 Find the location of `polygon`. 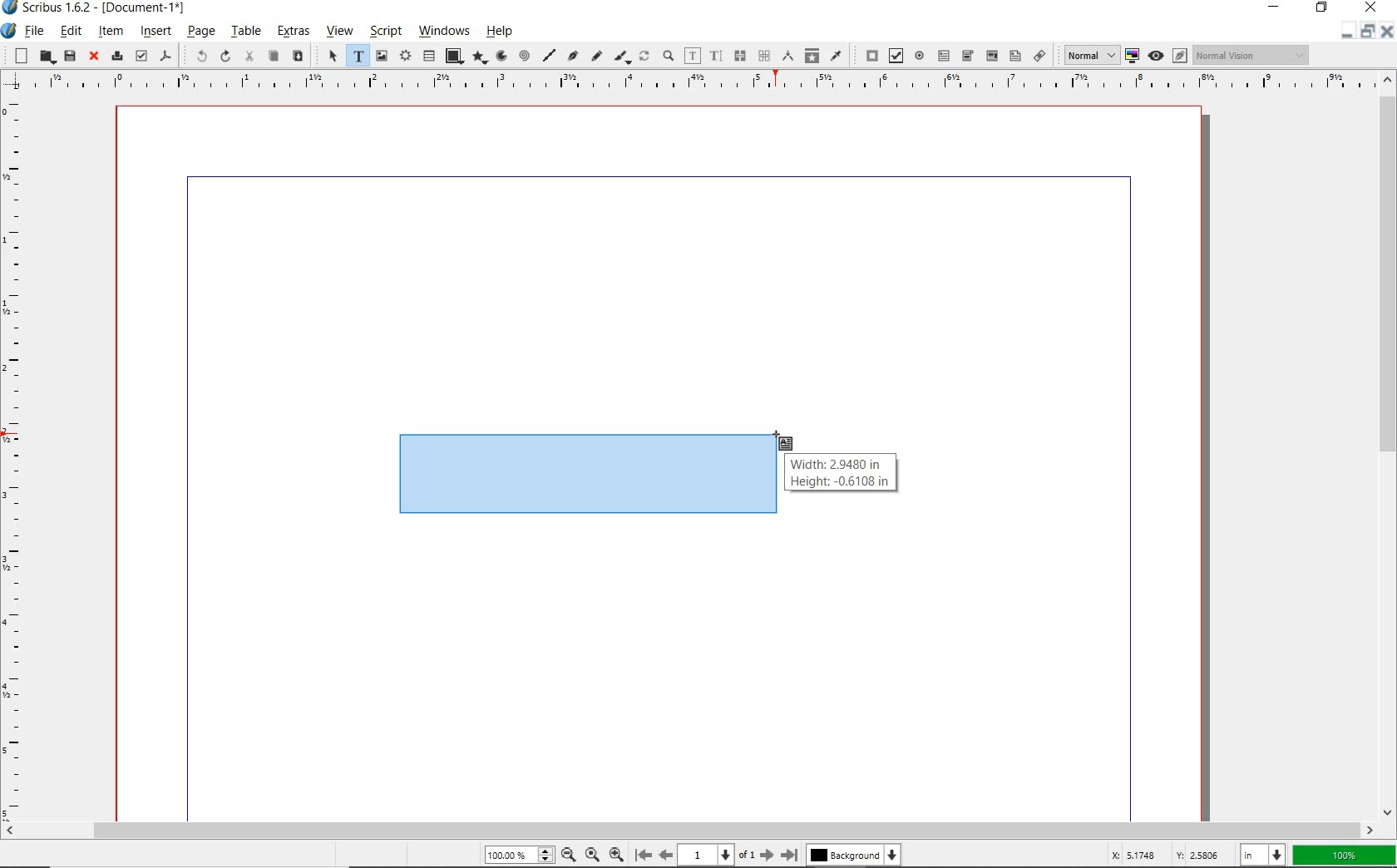

polygon is located at coordinates (477, 58).